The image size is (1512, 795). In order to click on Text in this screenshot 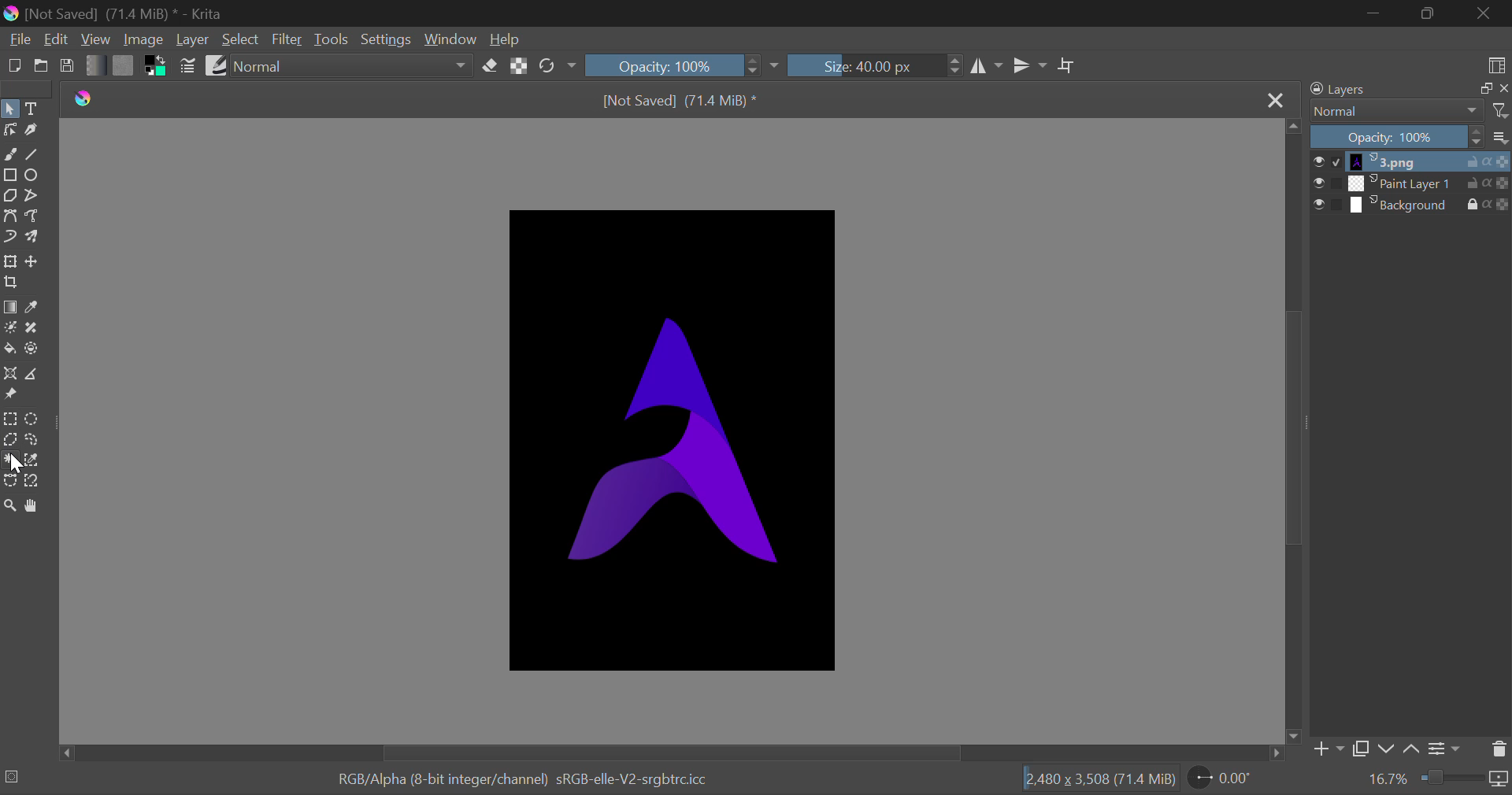, I will do `click(32, 109)`.